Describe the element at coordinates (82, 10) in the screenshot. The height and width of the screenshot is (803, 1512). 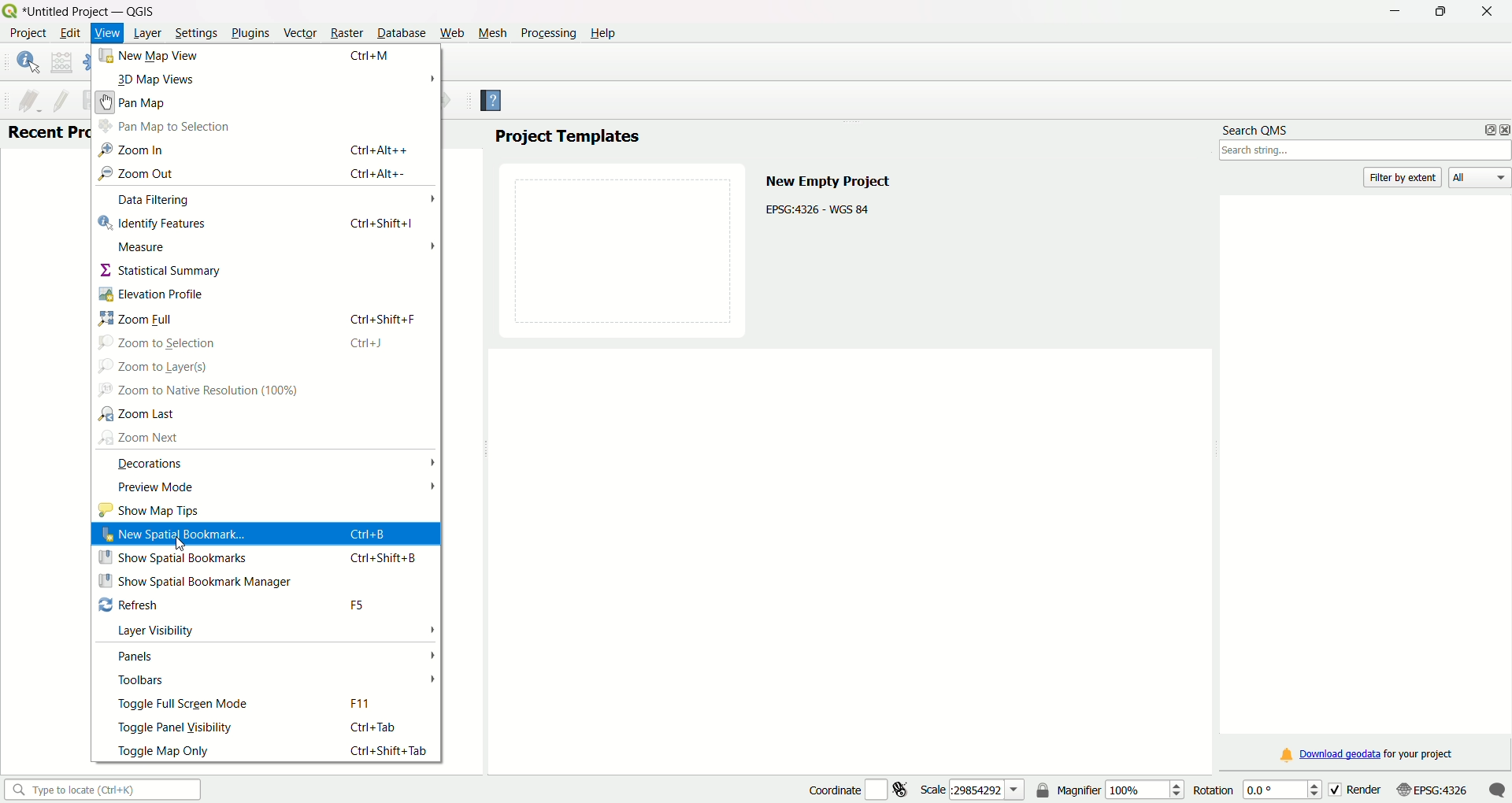
I see `logo and title` at that location.